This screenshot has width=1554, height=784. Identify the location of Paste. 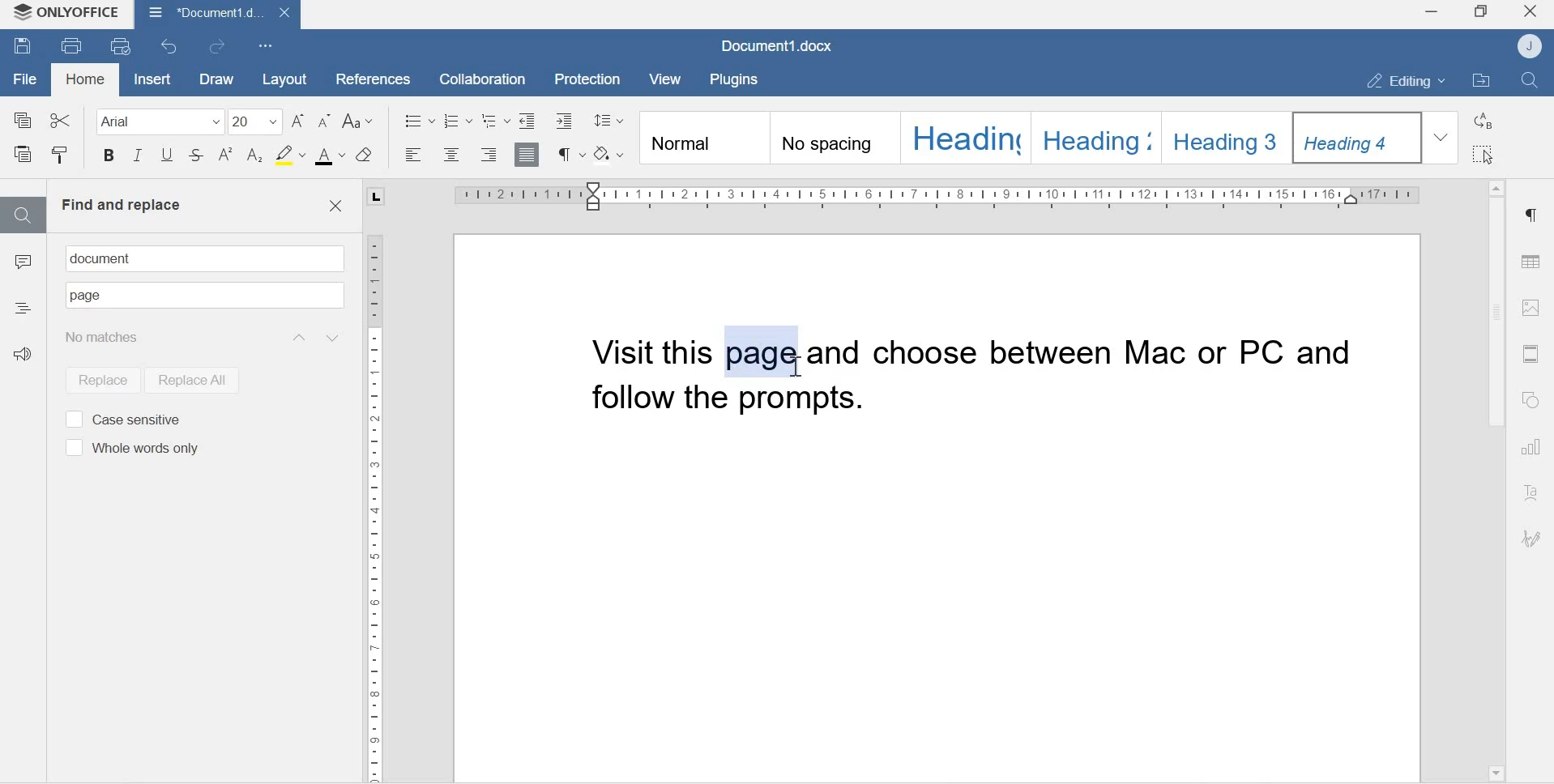
(25, 156).